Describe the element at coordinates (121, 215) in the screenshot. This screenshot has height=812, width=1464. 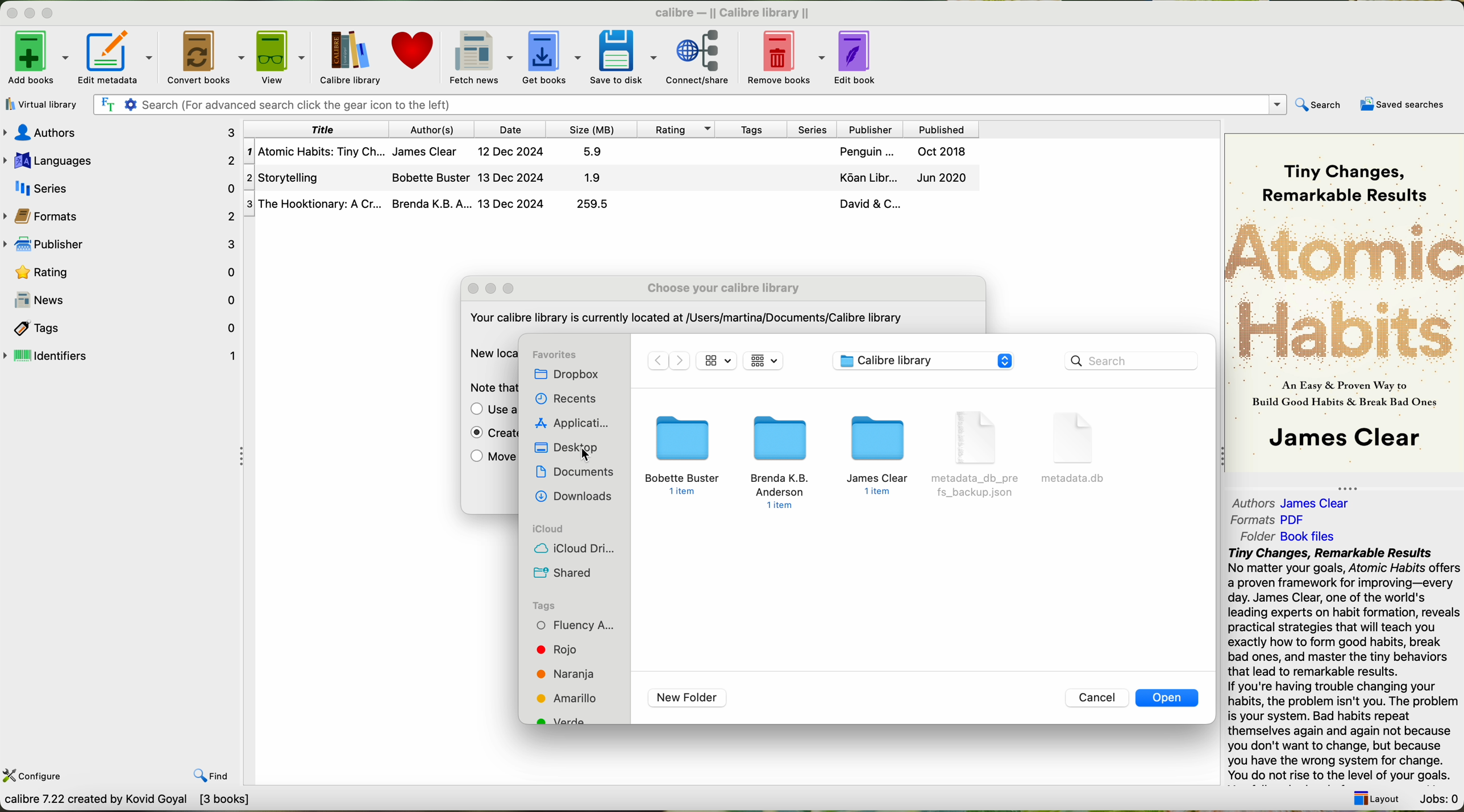
I see `formats` at that location.